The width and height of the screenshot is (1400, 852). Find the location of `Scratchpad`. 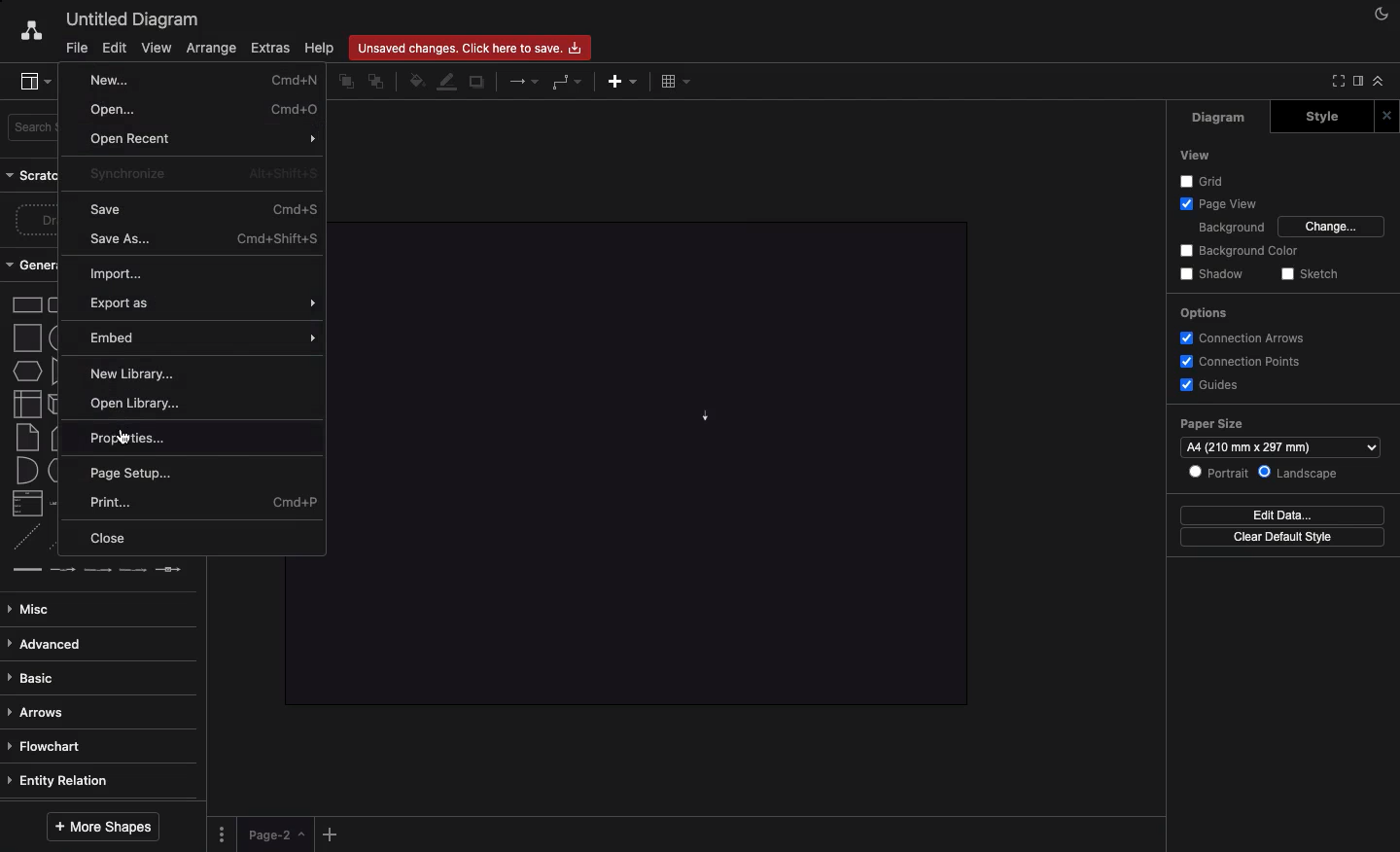

Scratchpad is located at coordinates (33, 175).